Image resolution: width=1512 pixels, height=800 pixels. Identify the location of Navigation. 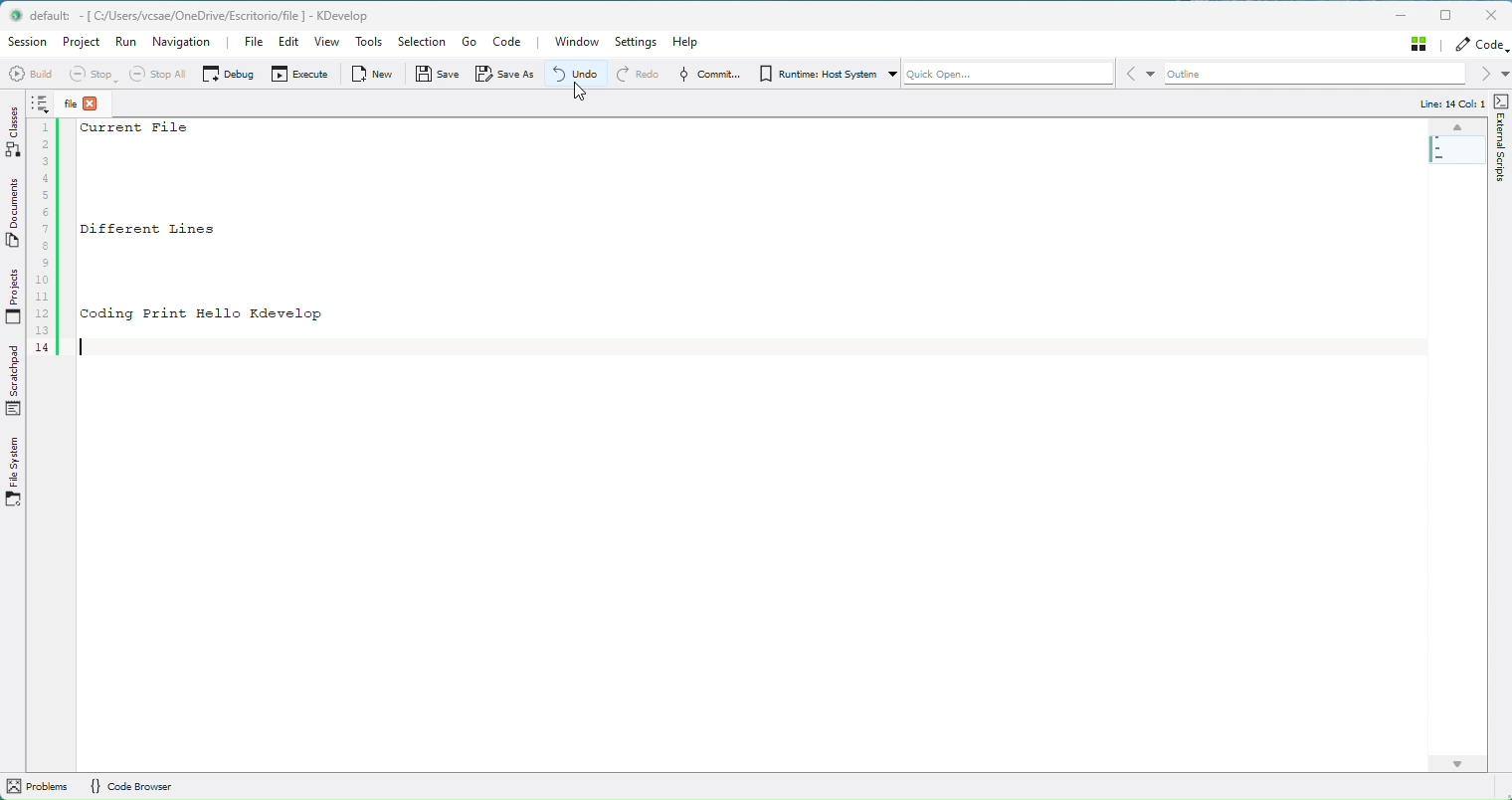
(181, 43).